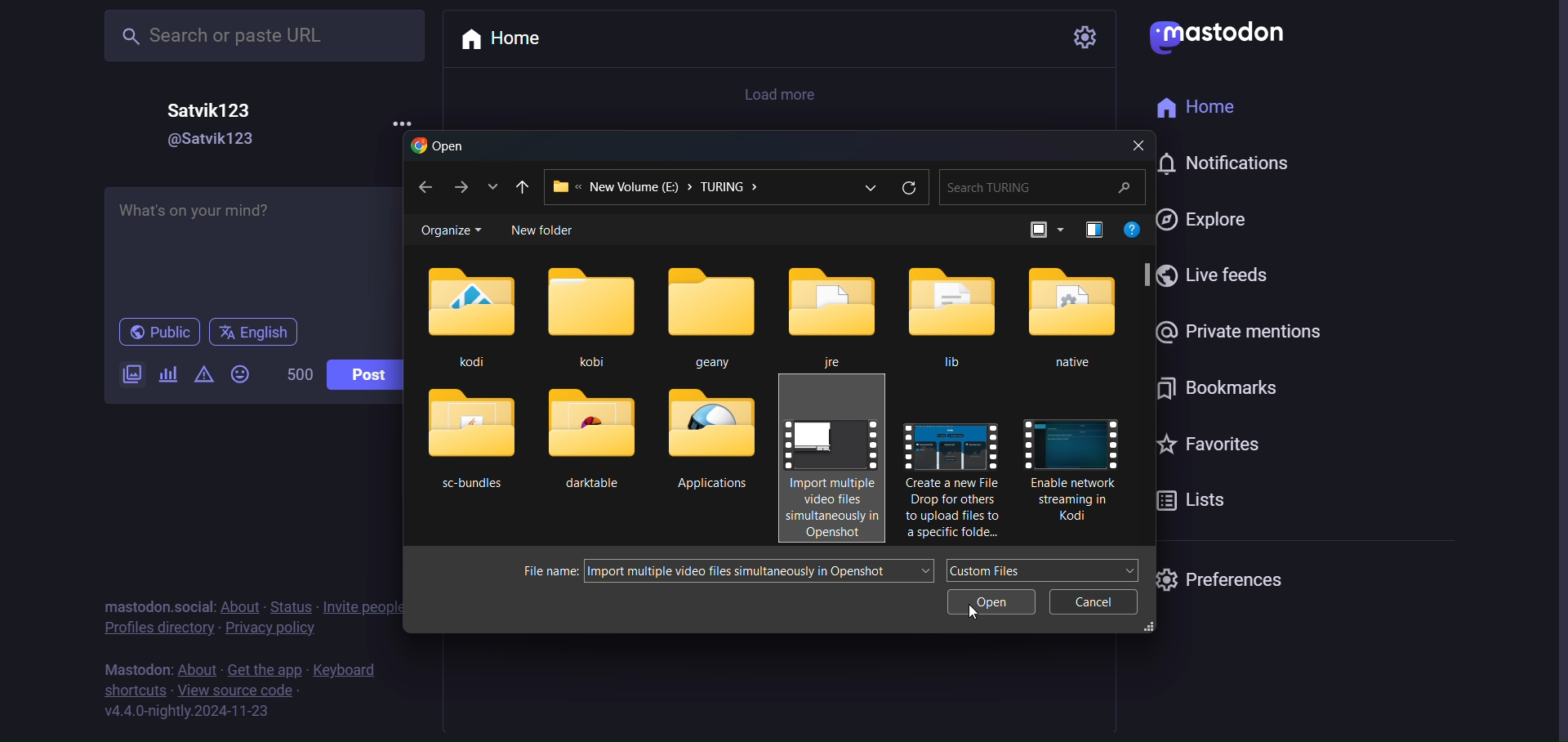  I want to click on explore, so click(1206, 220).